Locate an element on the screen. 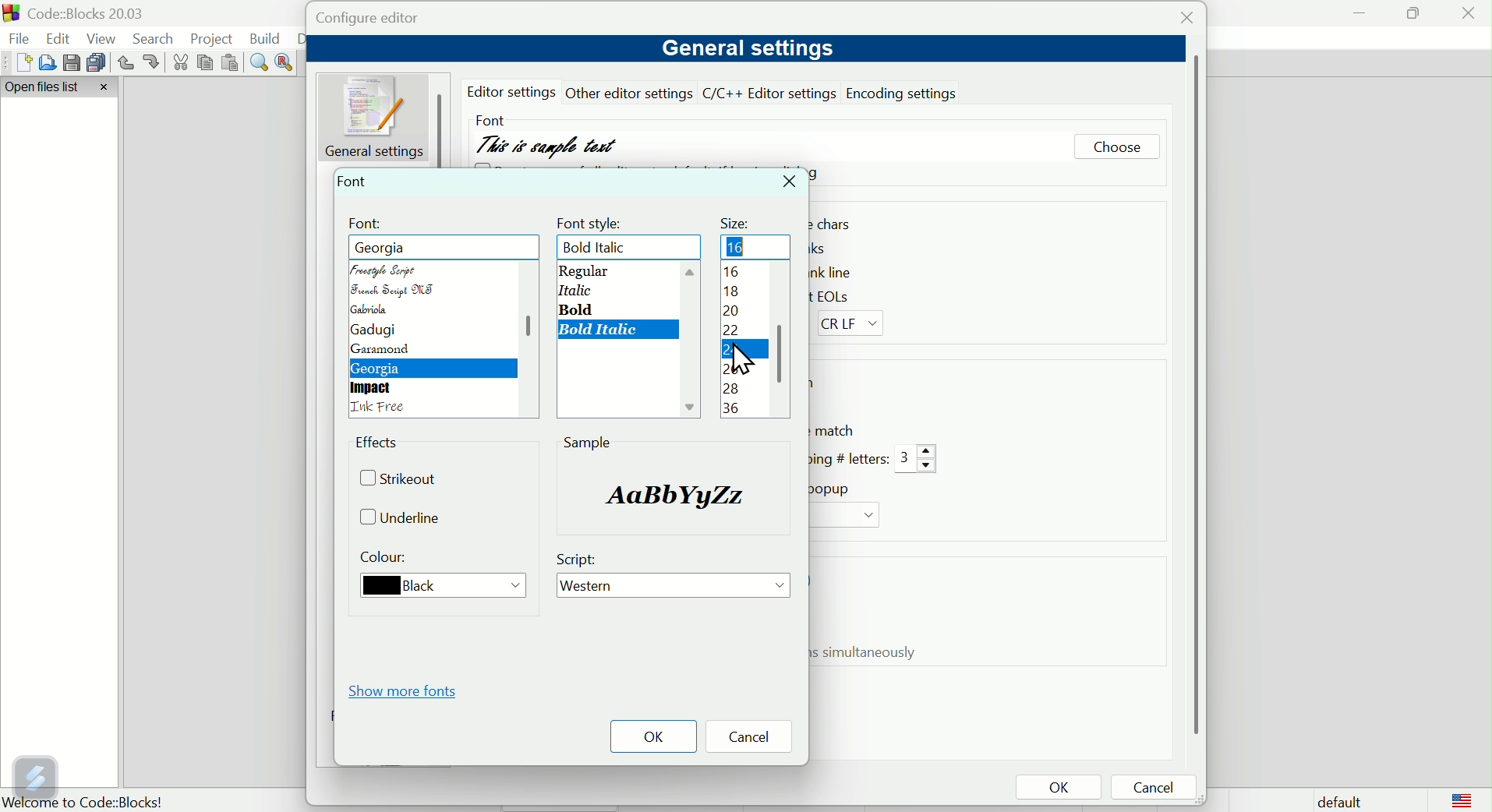  Effects is located at coordinates (380, 445).